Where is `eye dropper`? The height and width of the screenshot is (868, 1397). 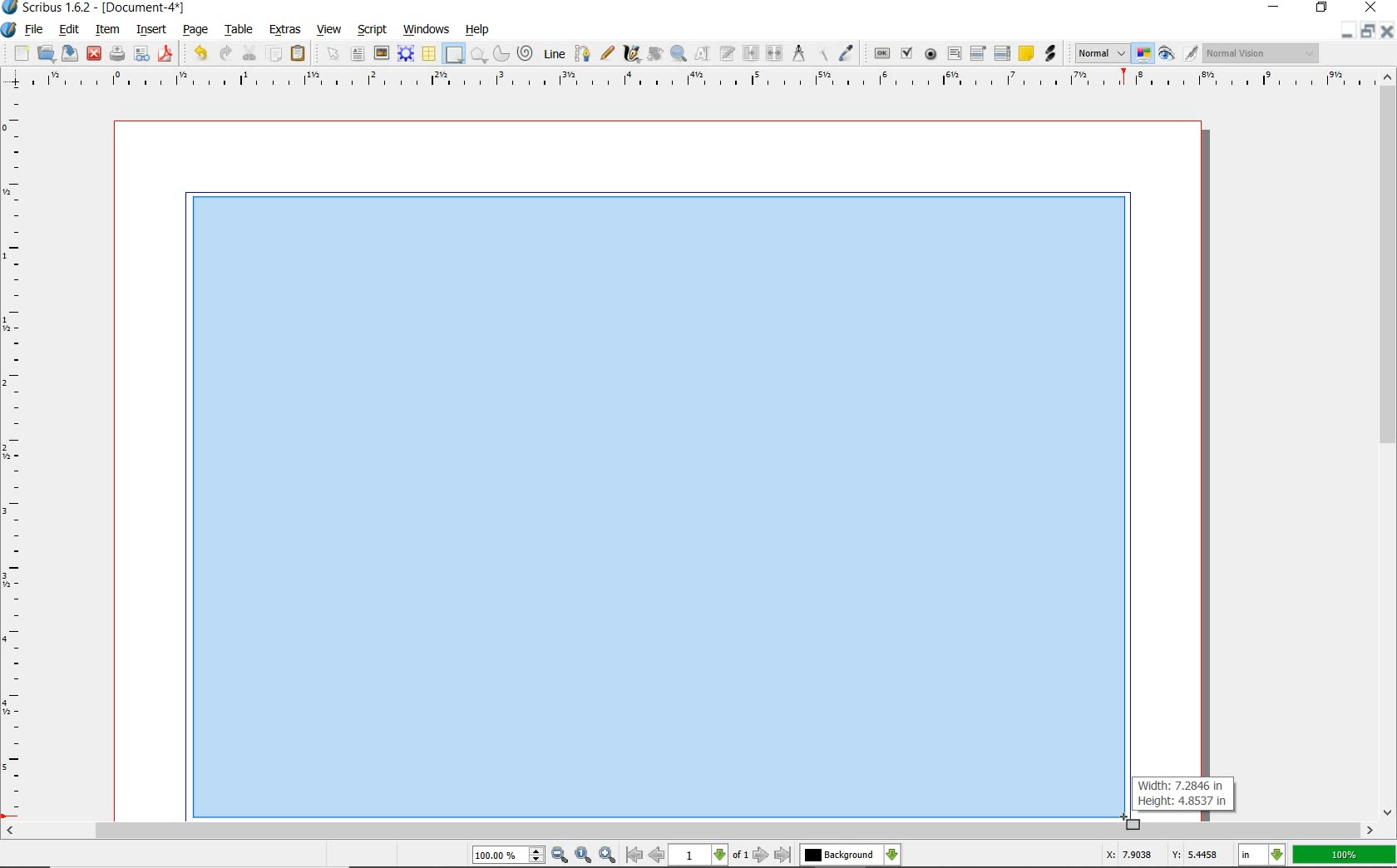 eye dropper is located at coordinates (847, 51).